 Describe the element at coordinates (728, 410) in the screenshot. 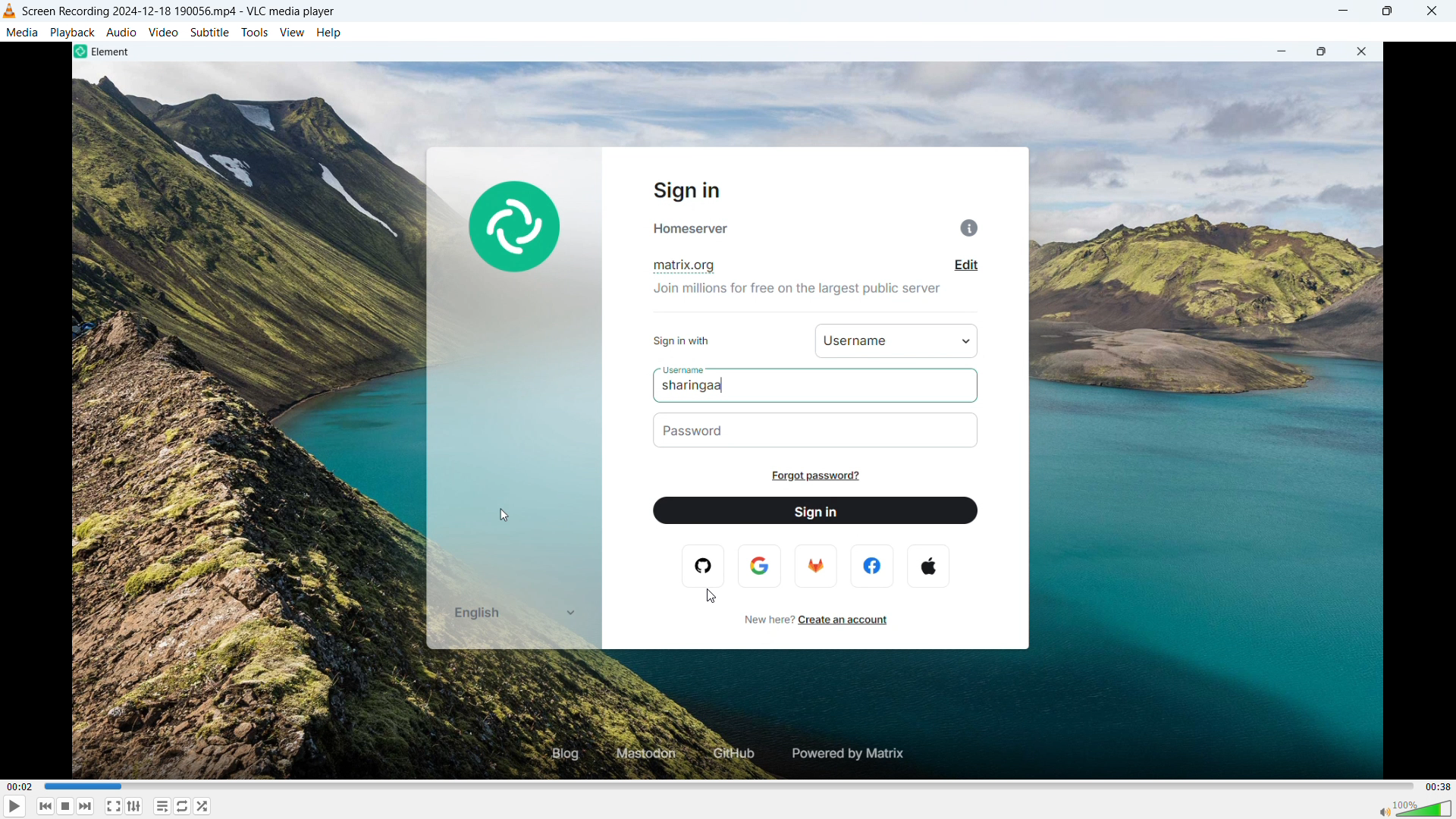

I see `video playback` at that location.